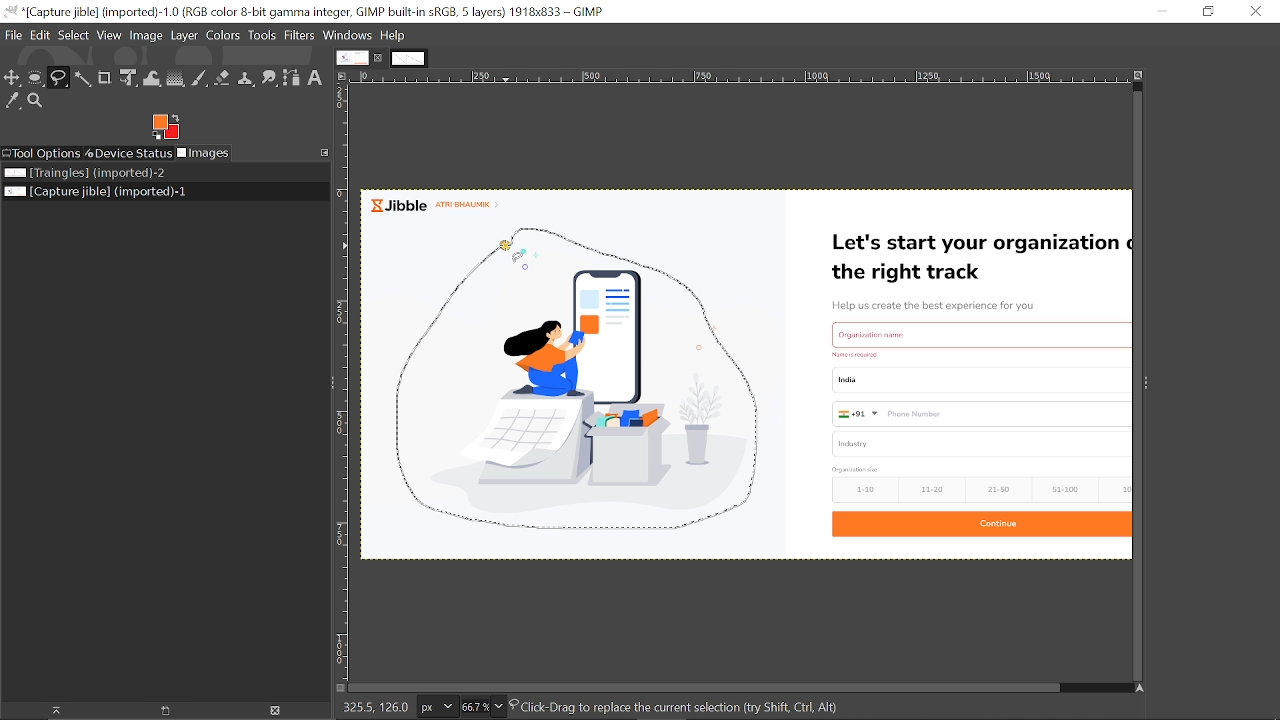 Image resolution: width=1280 pixels, height=720 pixels. Describe the element at coordinates (14, 35) in the screenshot. I see `File` at that location.